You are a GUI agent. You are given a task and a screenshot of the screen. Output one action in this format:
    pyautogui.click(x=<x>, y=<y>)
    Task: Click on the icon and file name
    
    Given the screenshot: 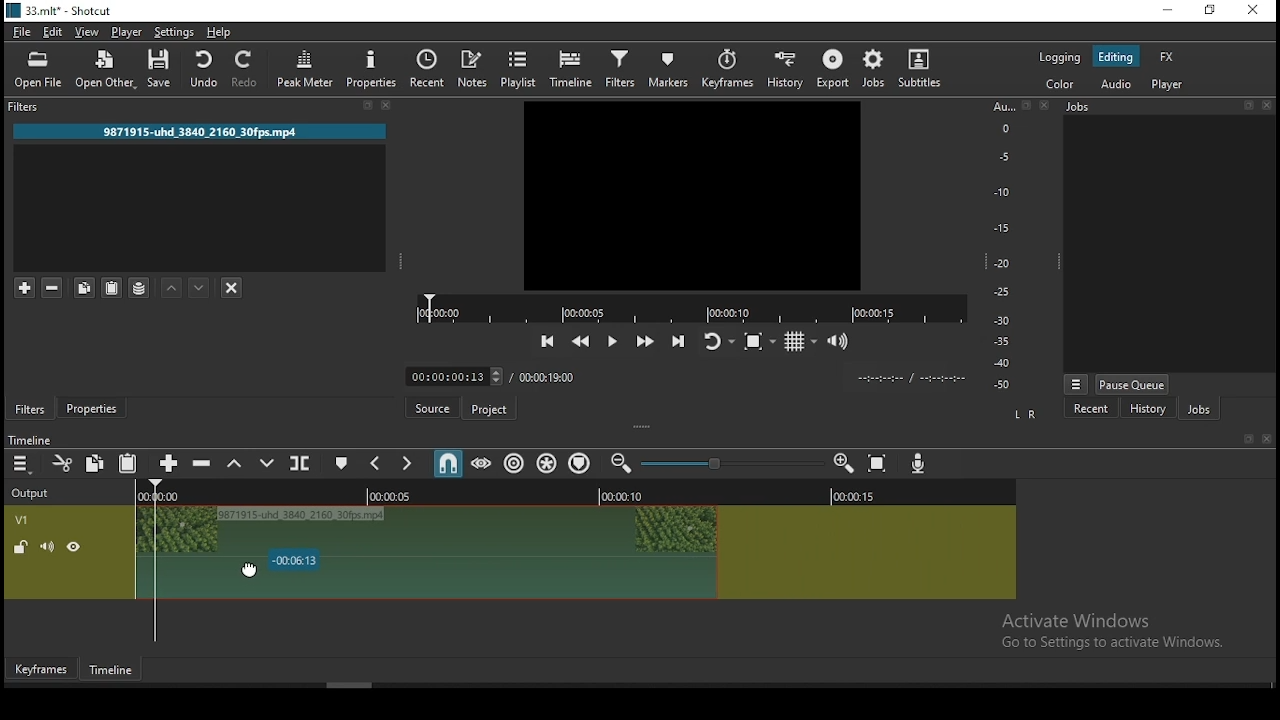 What is the action you would take?
    pyautogui.click(x=63, y=11)
    